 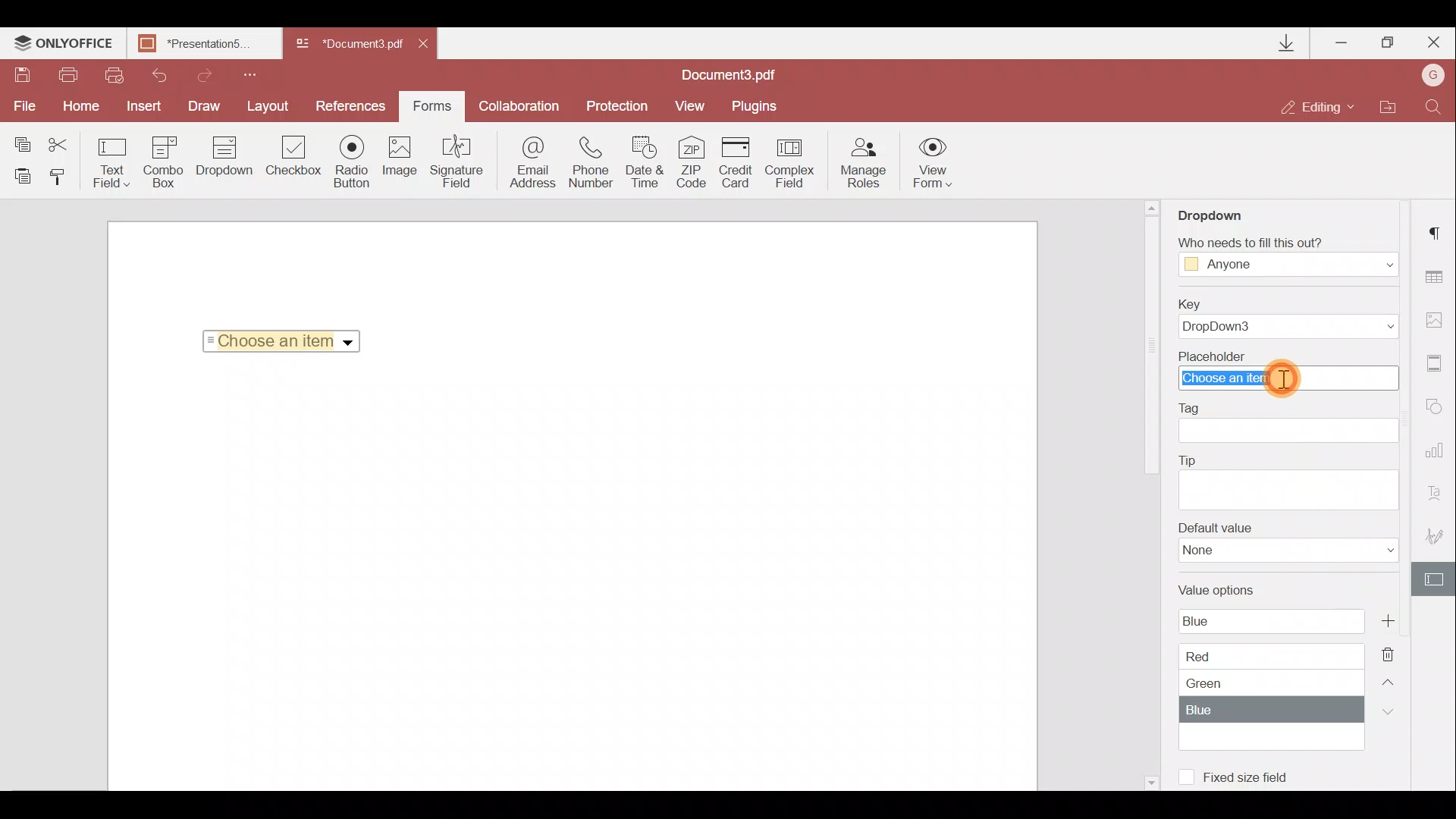 What do you see at coordinates (1216, 214) in the screenshot?
I see `Dropdown` at bounding box center [1216, 214].